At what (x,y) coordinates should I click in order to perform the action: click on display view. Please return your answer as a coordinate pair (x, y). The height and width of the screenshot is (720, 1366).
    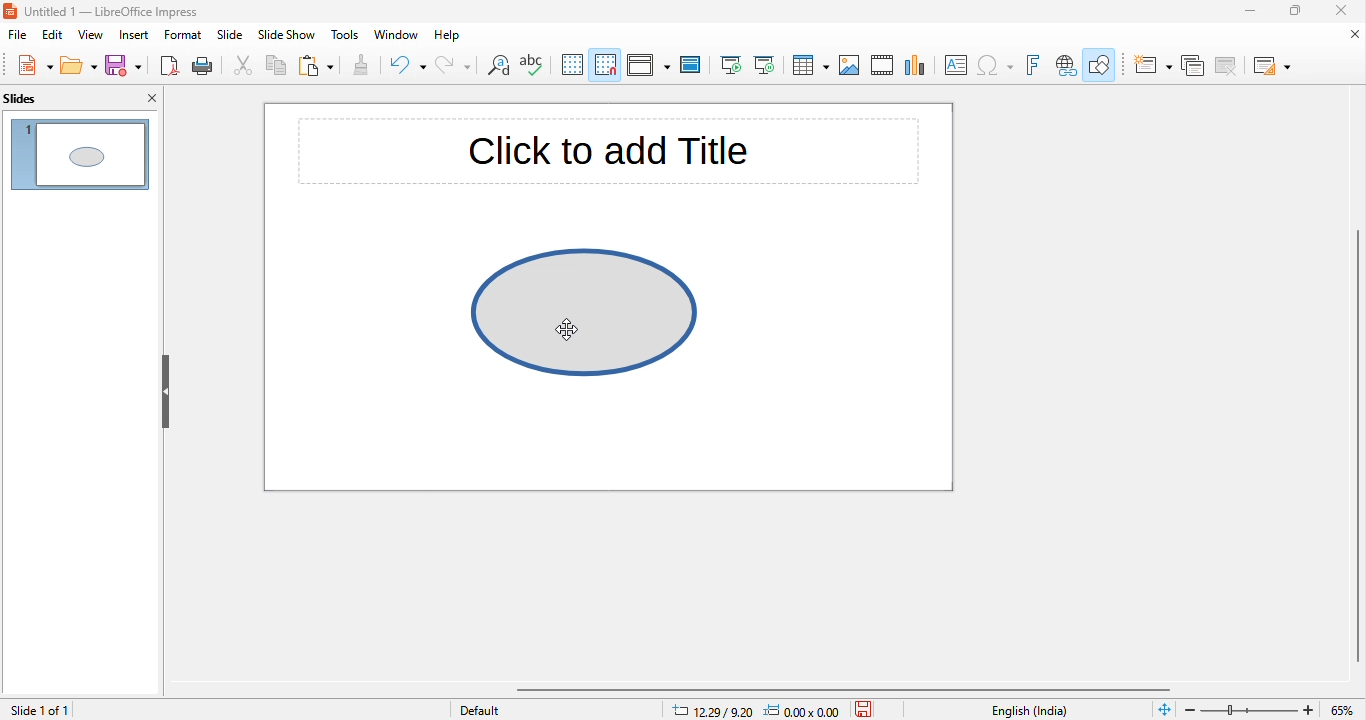
    Looking at the image, I should click on (647, 67).